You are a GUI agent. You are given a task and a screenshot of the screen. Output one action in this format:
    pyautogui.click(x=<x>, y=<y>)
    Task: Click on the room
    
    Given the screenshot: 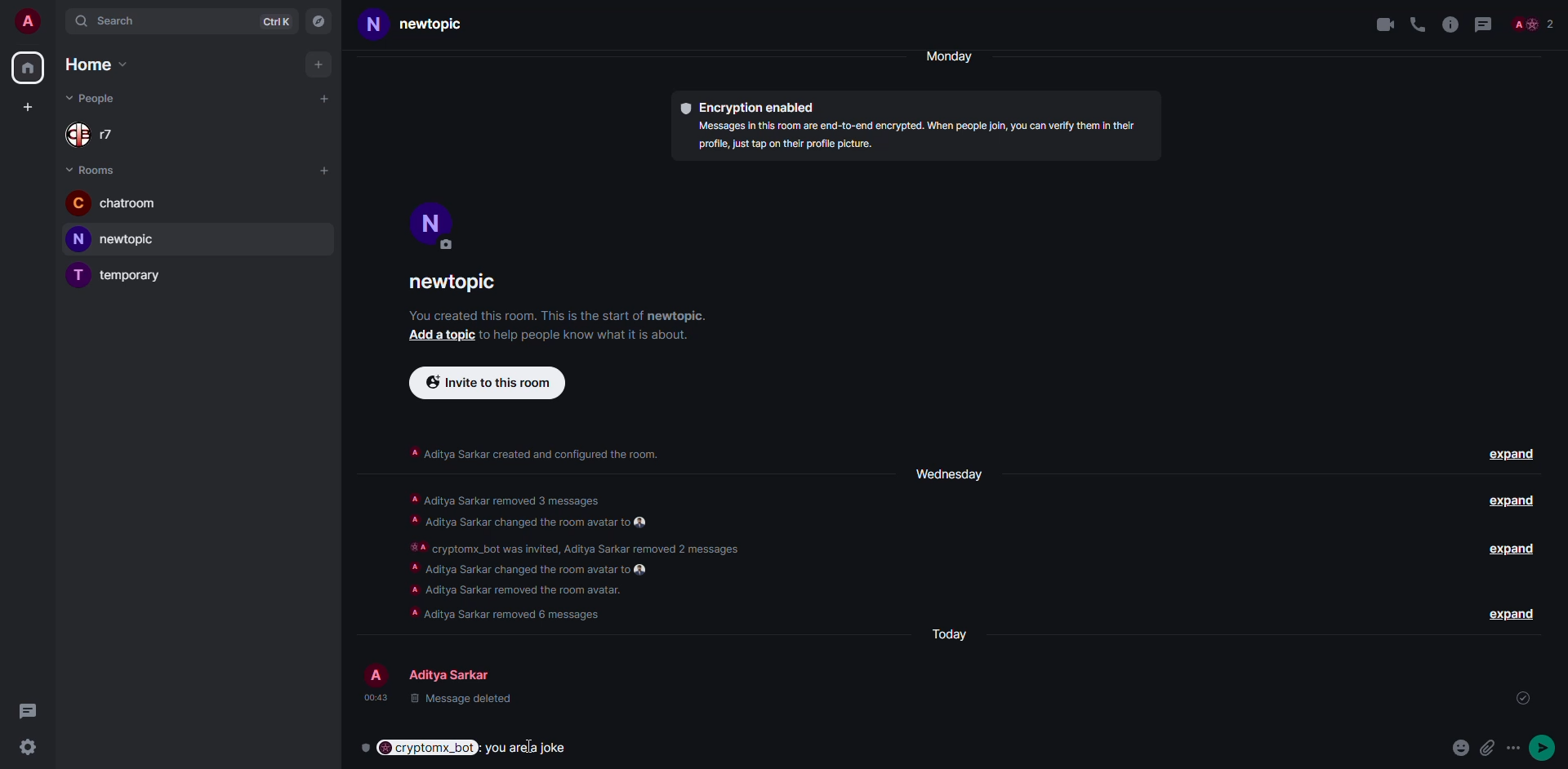 What is the action you would take?
    pyautogui.click(x=120, y=274)
    